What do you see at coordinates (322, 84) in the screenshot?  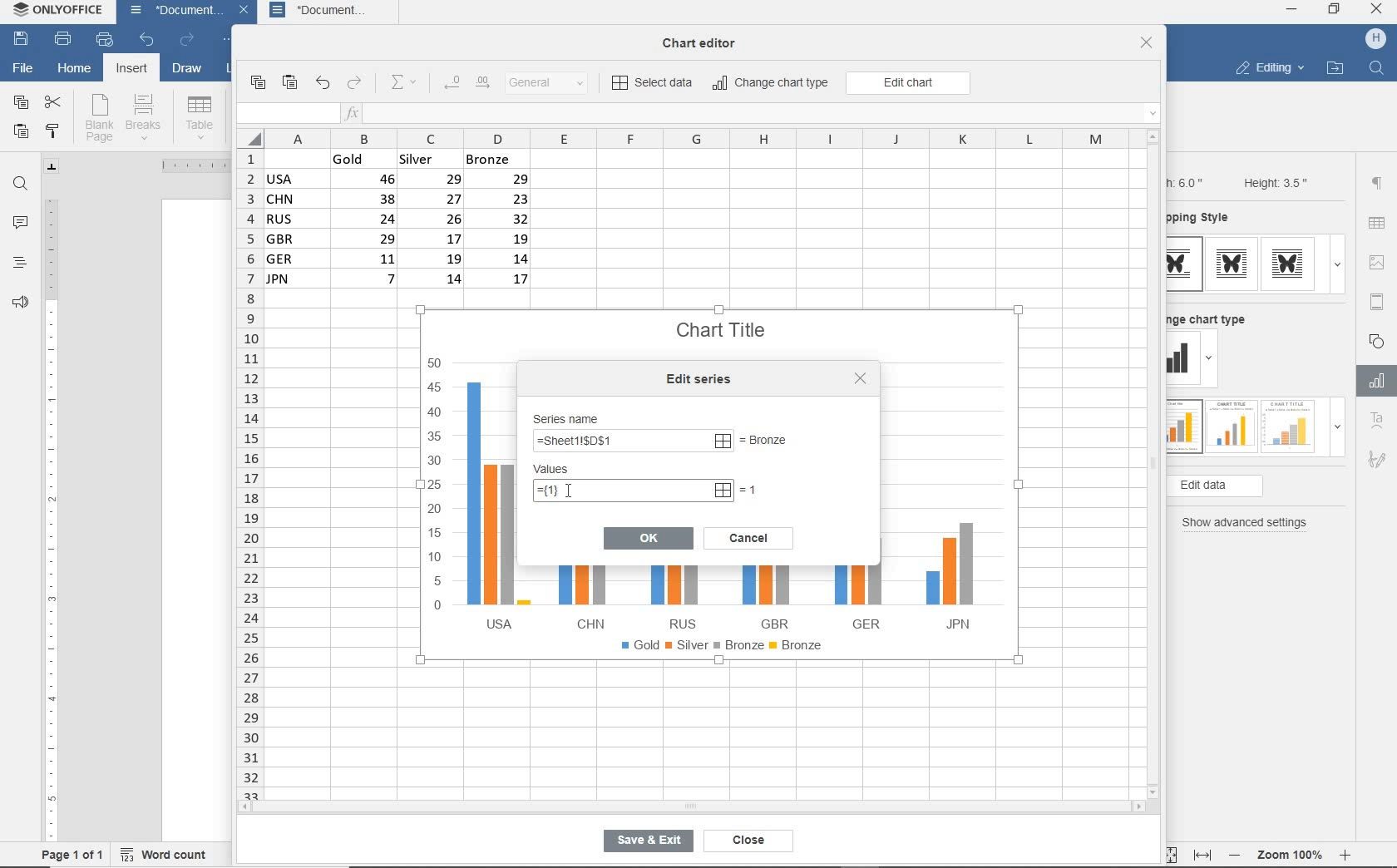 I see `undo` at bounding box center [322, 84].